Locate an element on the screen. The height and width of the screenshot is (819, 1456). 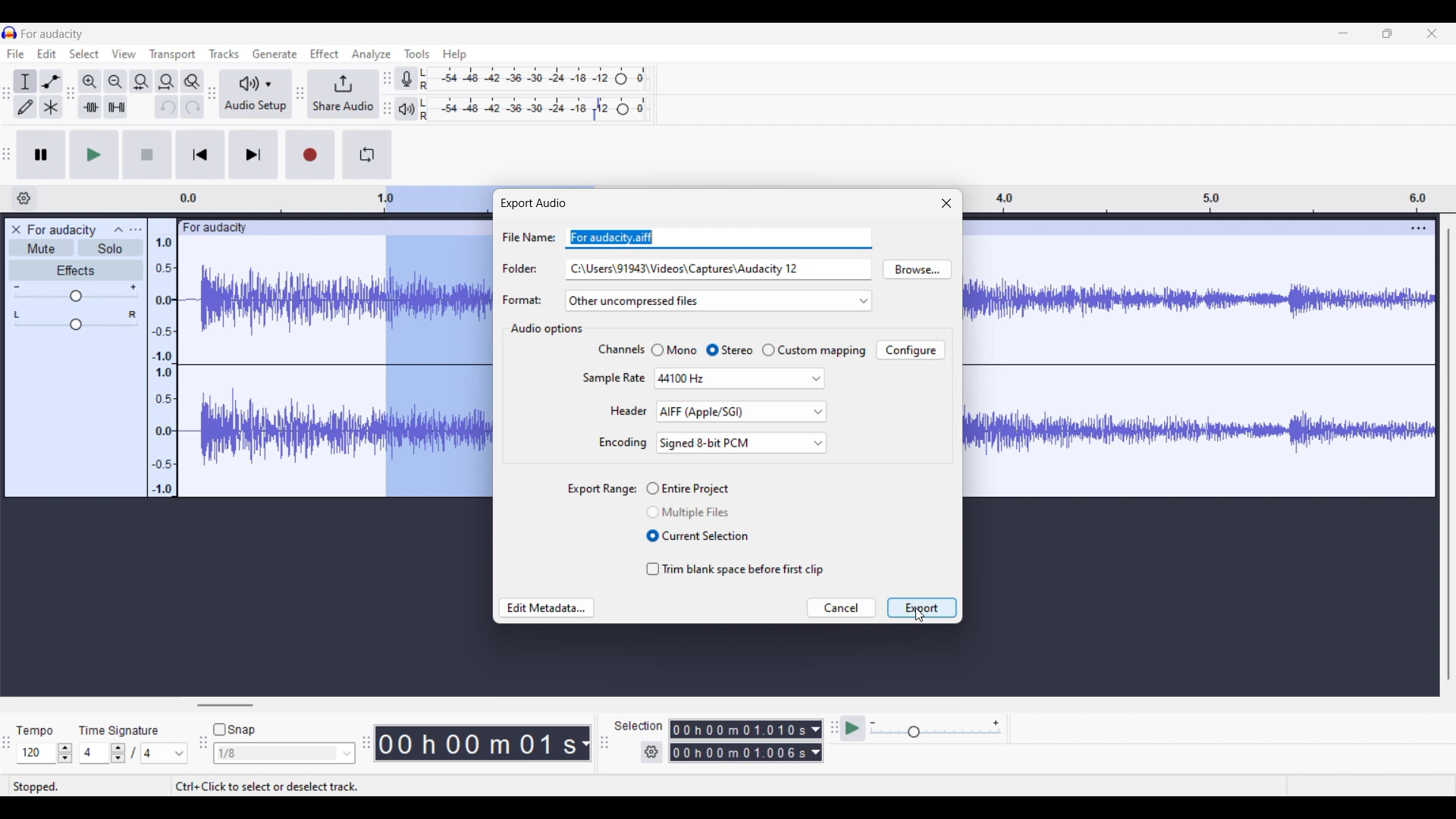
Zoom toggle is located at coordinates (193, 82).